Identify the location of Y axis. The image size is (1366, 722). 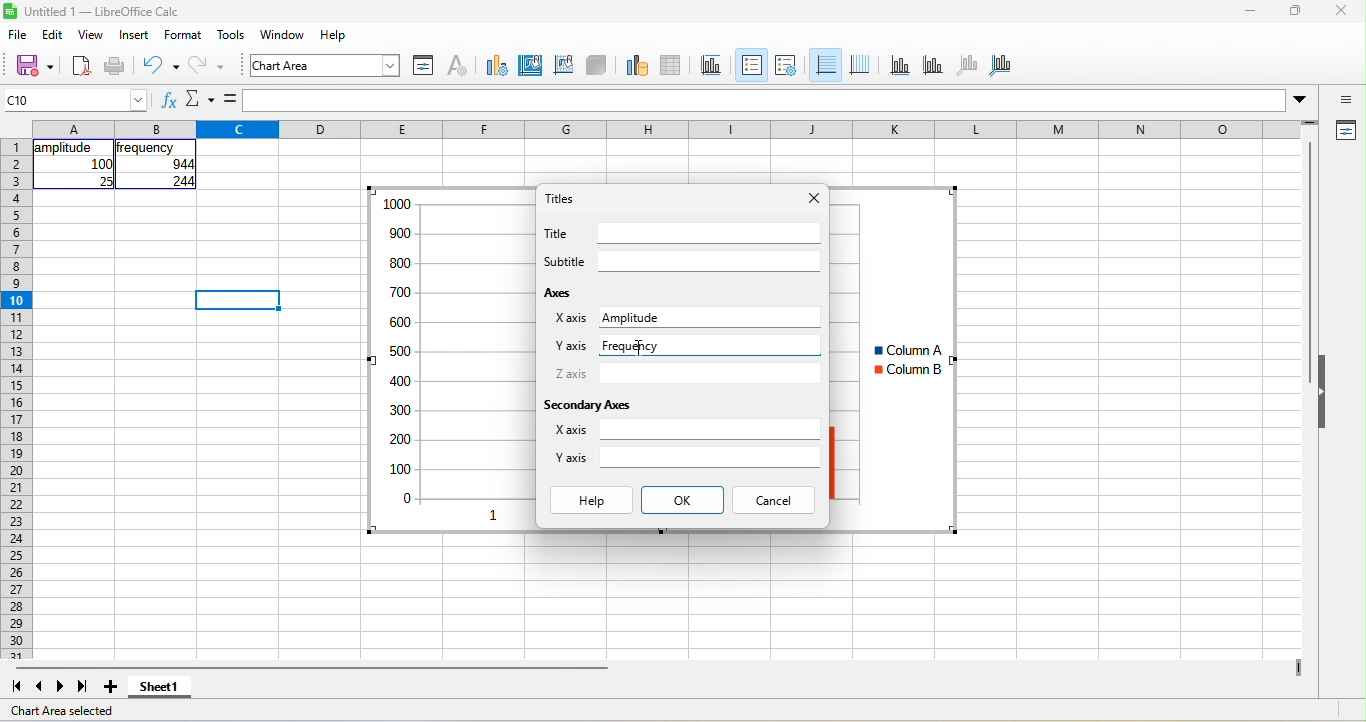
(571, 457).